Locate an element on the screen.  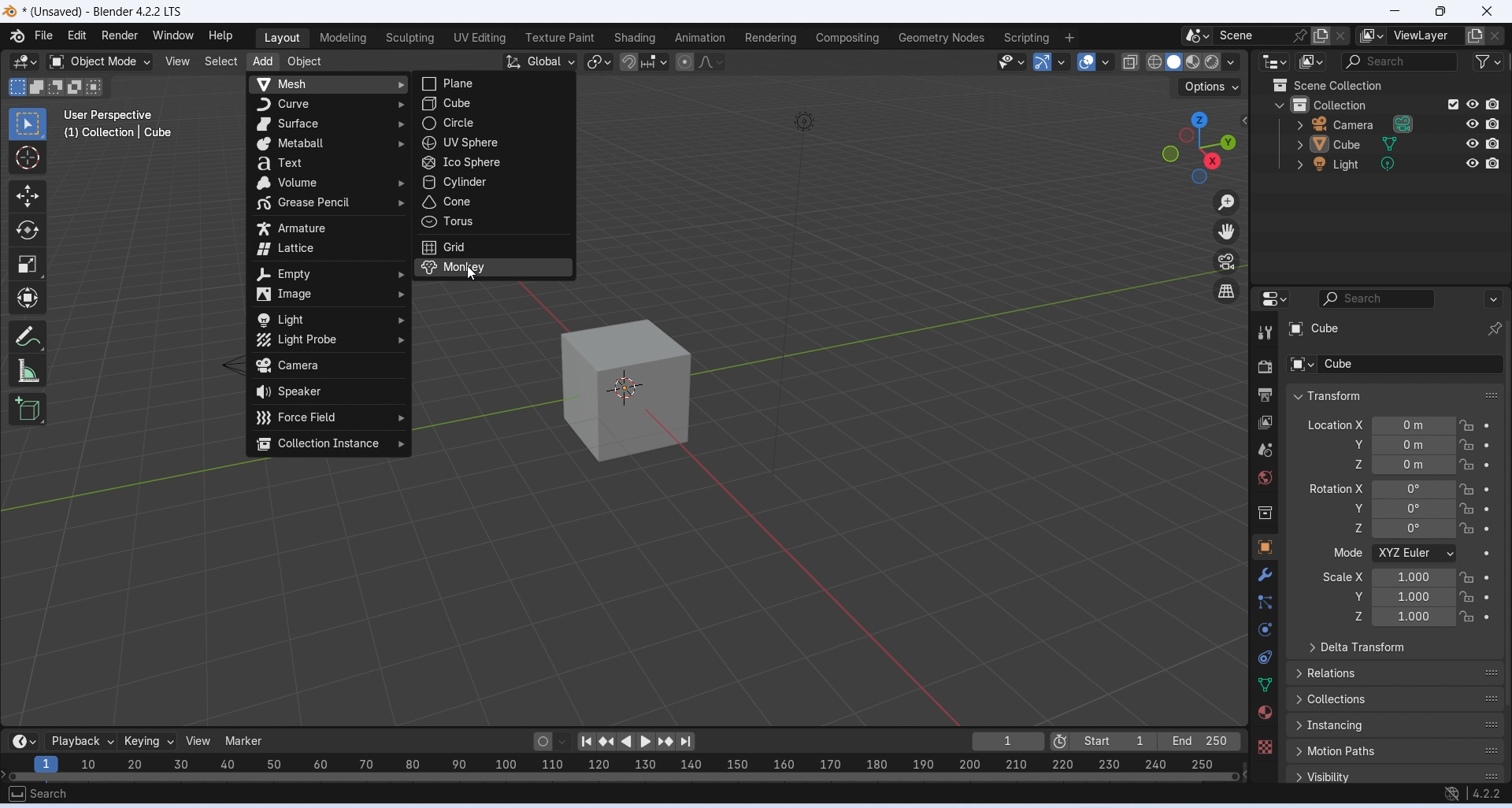
browse scene is located at coordinates (1198, 35).